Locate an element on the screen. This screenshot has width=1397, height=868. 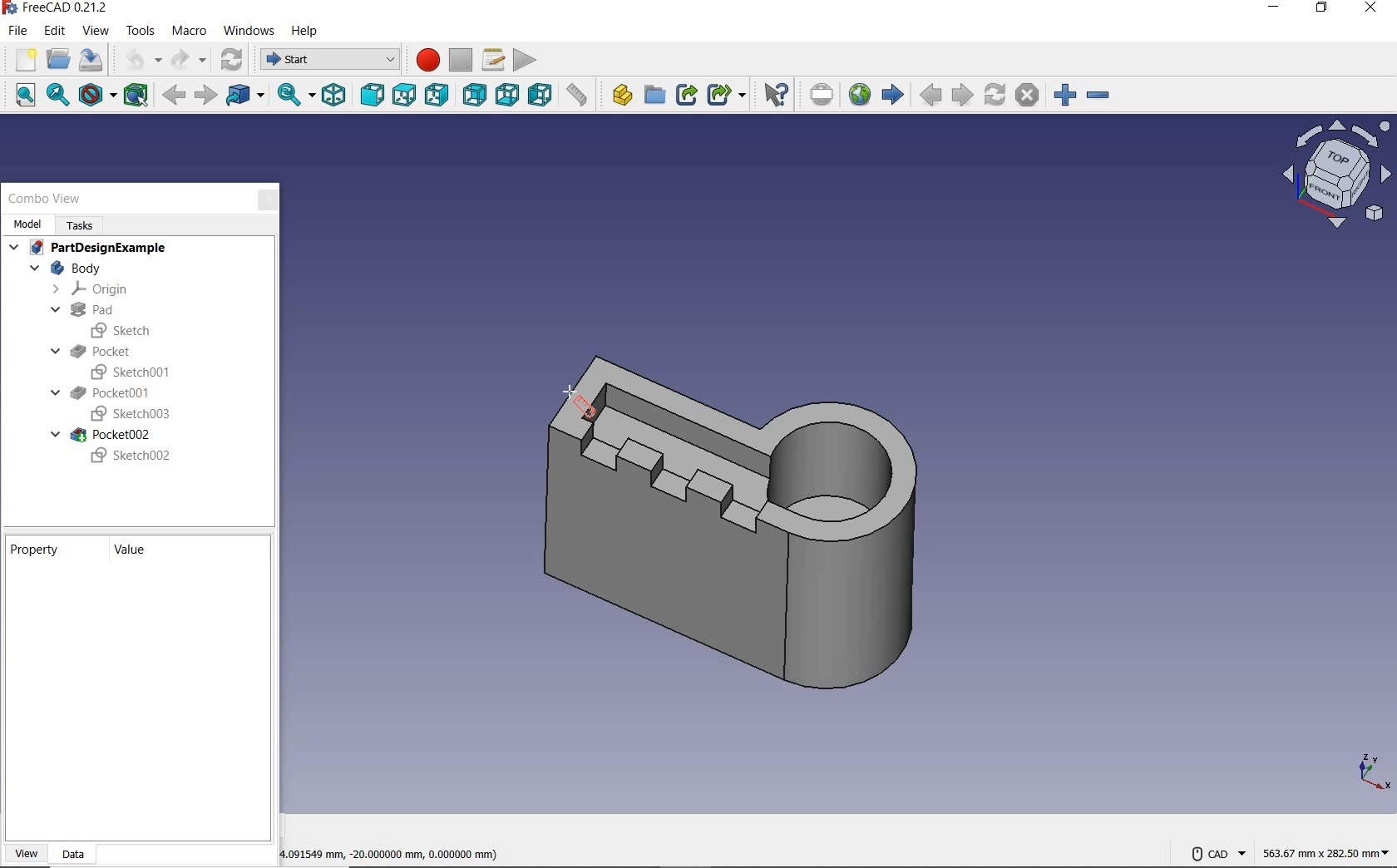
macros is located at coordinates (494, 60).